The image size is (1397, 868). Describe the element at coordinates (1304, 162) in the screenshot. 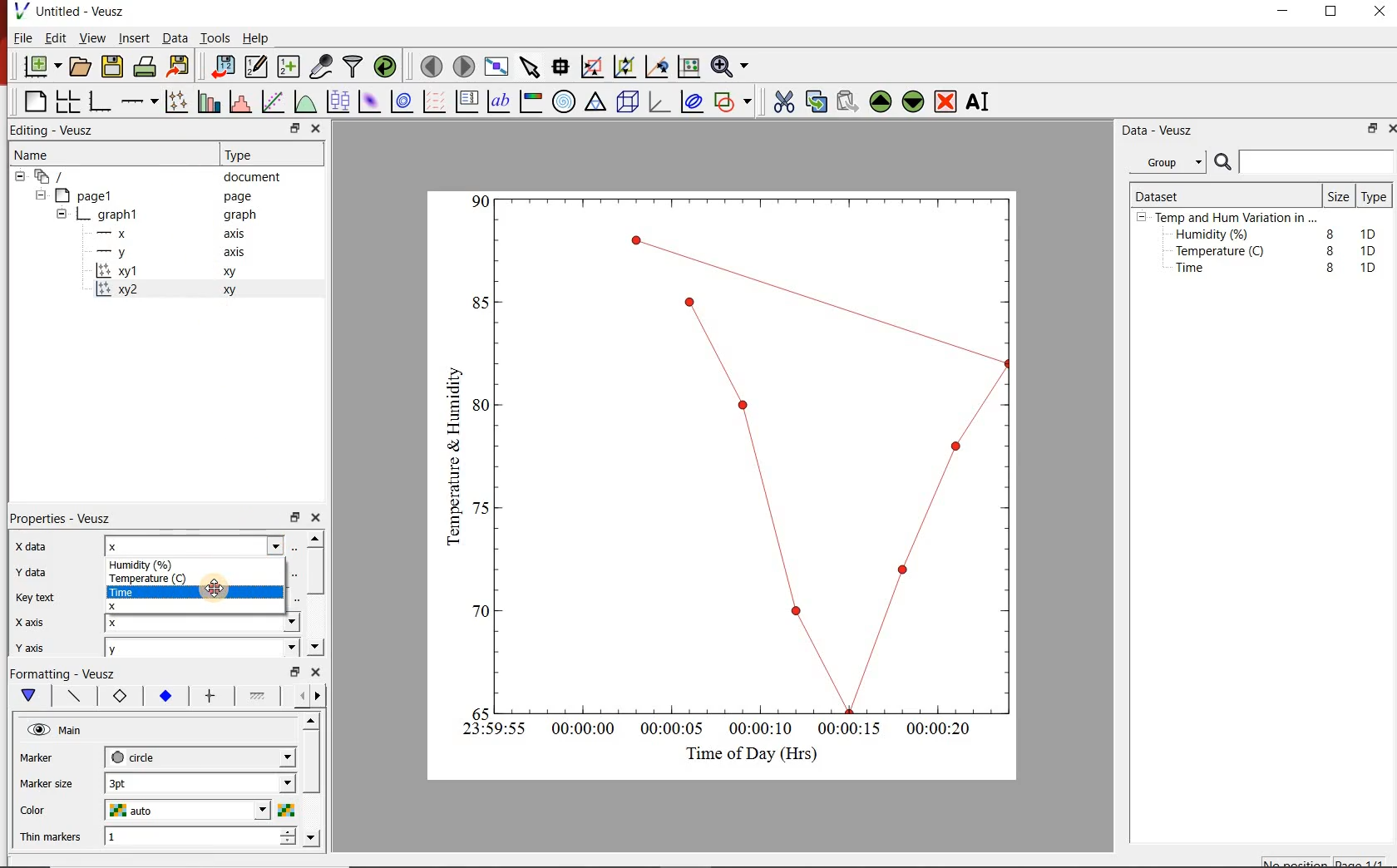

I see `Search bar` at that location.